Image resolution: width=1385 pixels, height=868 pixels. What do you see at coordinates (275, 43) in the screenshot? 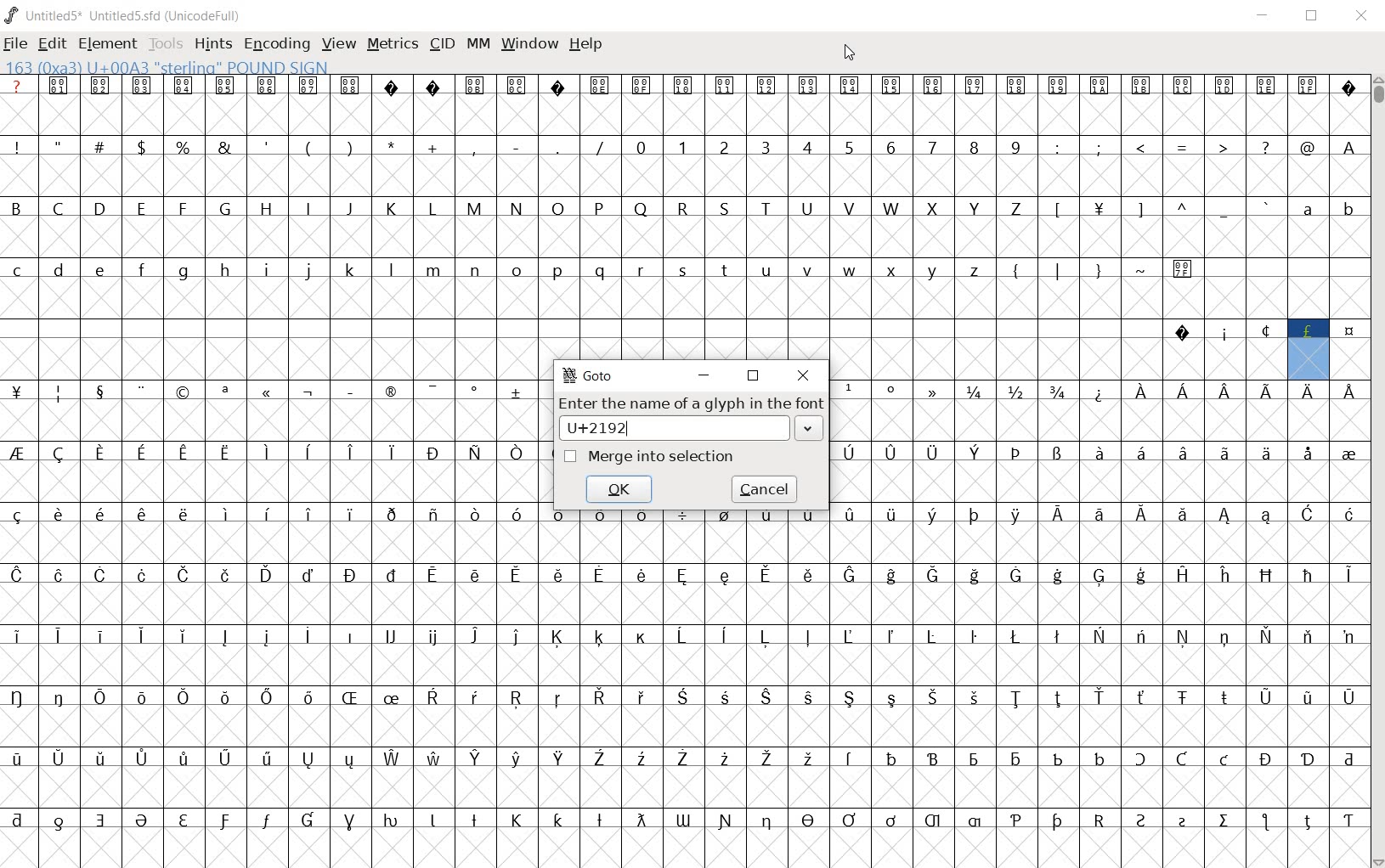
I see `ENCODING` at bounding box center [275, 43].